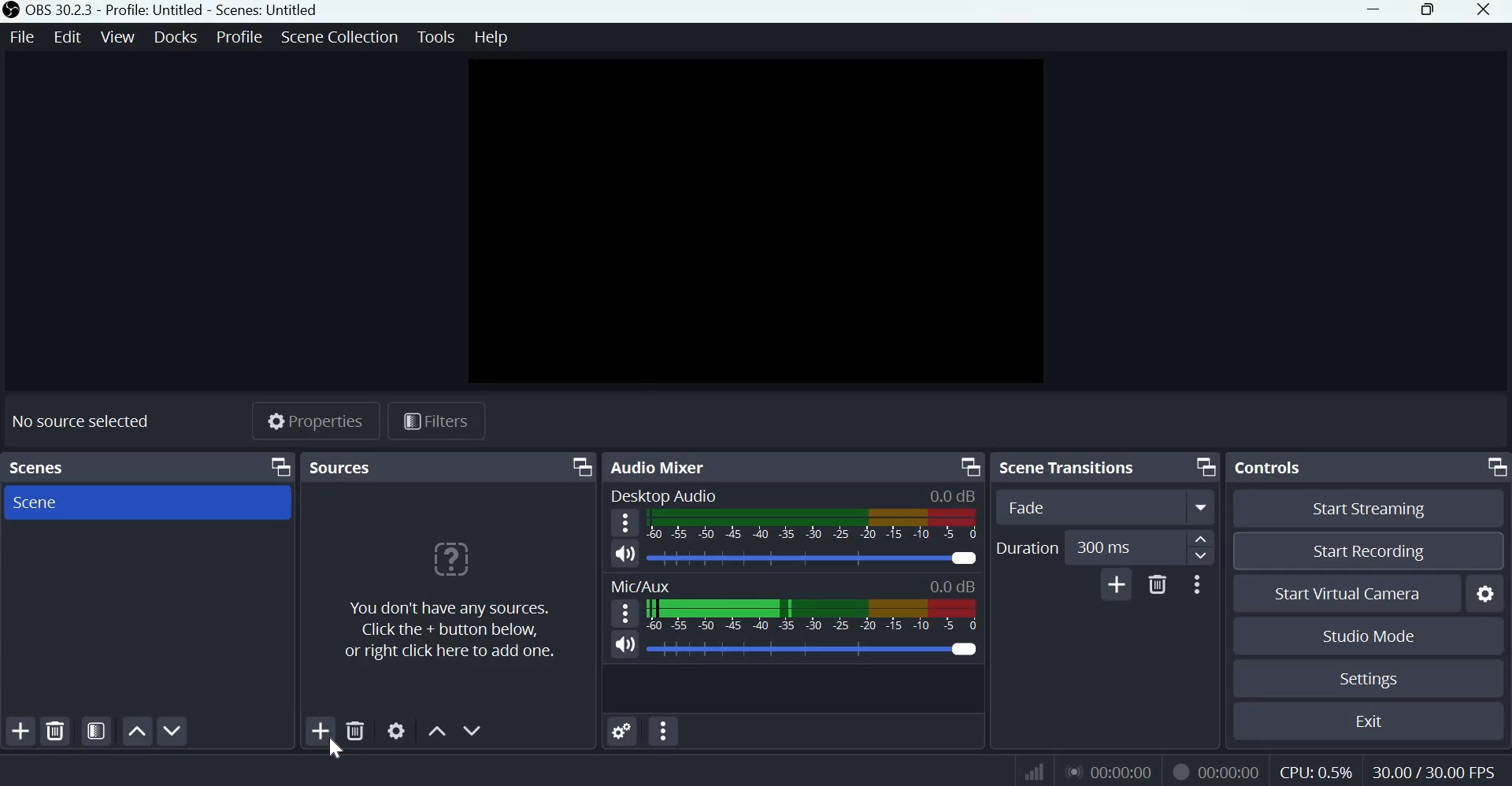 Image resolution: width=1512 pixels, height=786 pixels. I want to click on Start virtual camera, so click(1359, 591).